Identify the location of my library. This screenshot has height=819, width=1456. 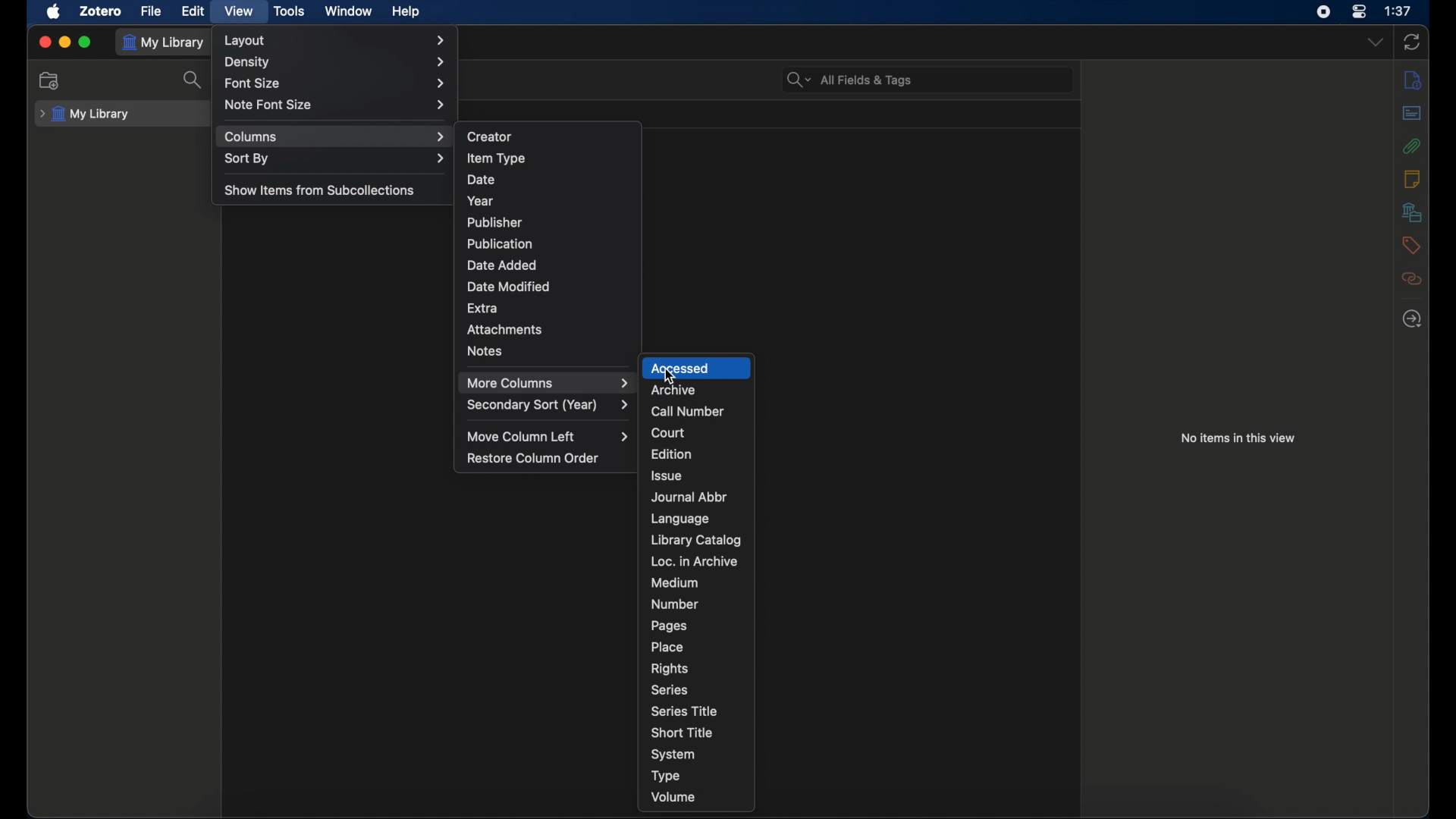
(85, 115).